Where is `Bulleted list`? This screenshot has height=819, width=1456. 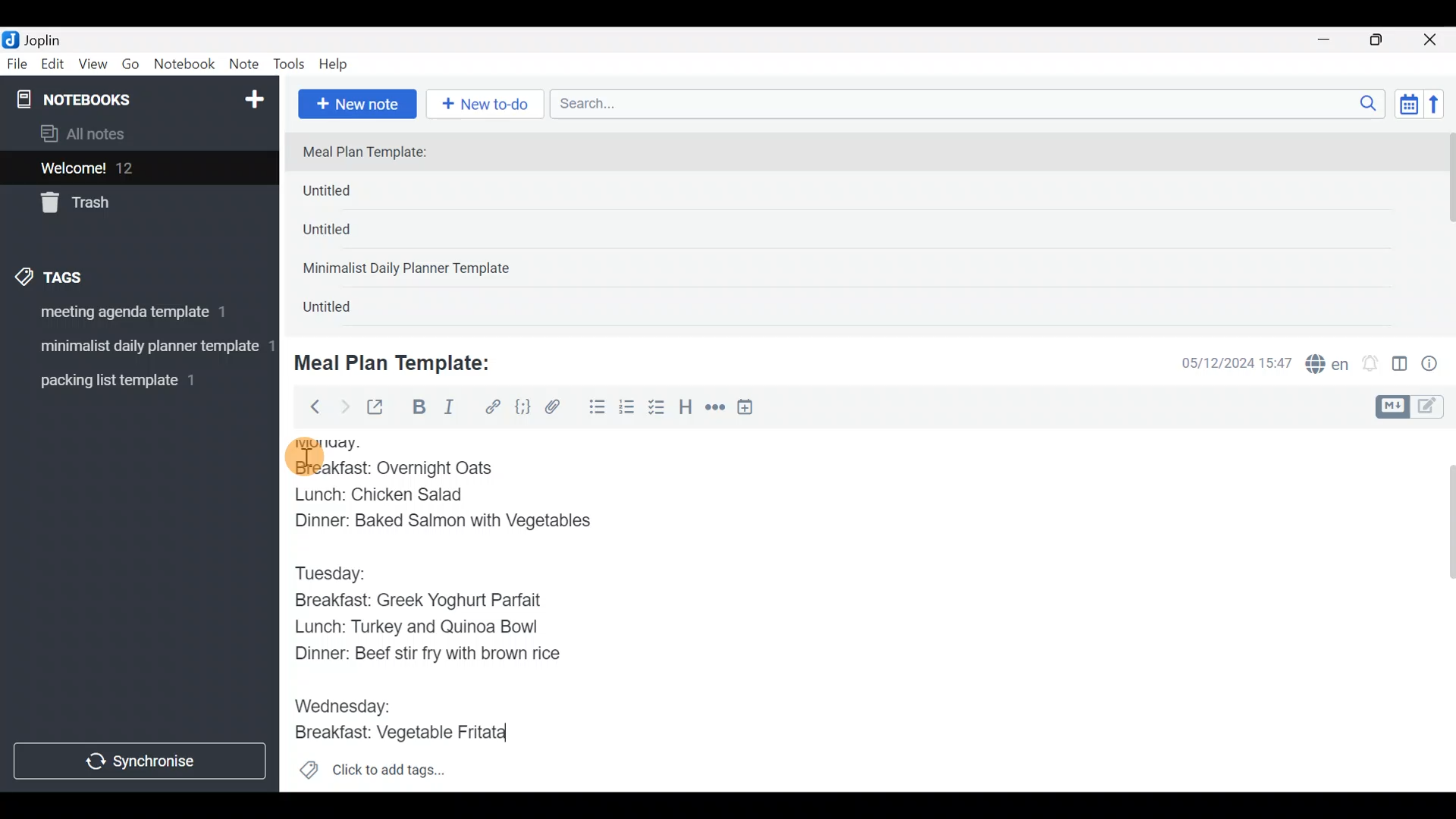
Bulleted list is located at coordinates (594, 408).